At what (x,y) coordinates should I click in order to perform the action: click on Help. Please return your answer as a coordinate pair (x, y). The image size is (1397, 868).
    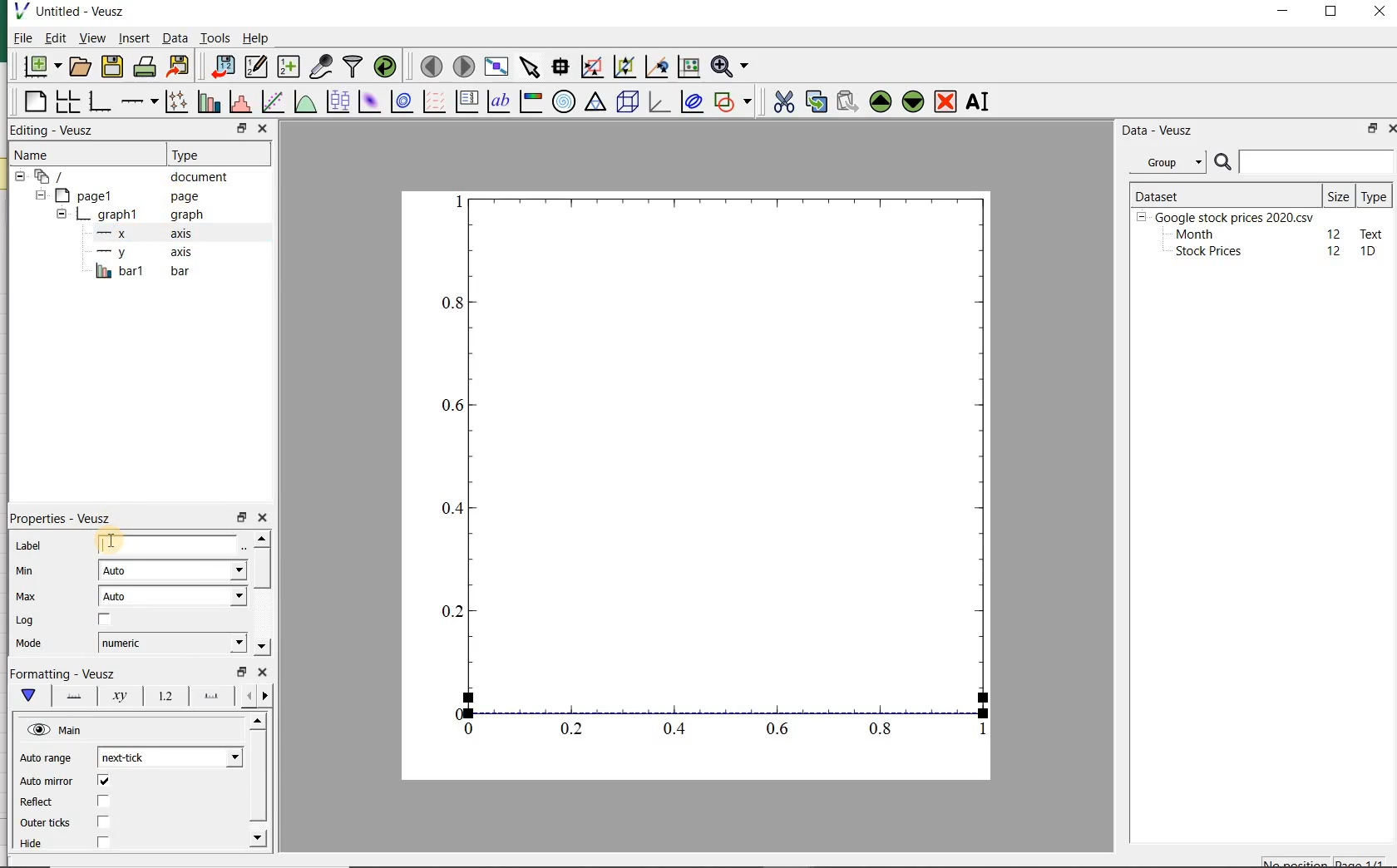
    Looking at the image, I should click on (258, 40).